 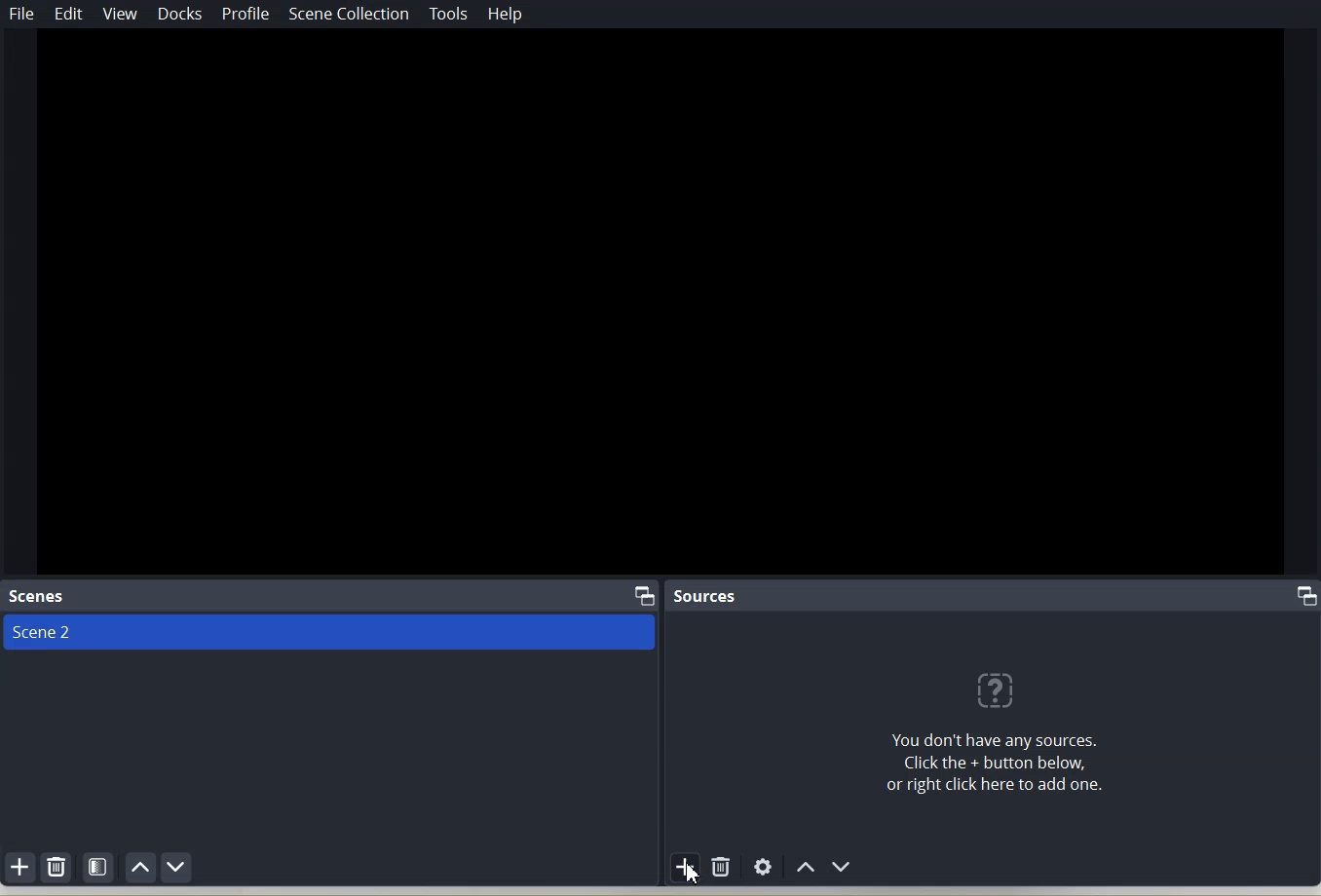 I want to click on Open Scene Filter, so click(x=99, y=866).